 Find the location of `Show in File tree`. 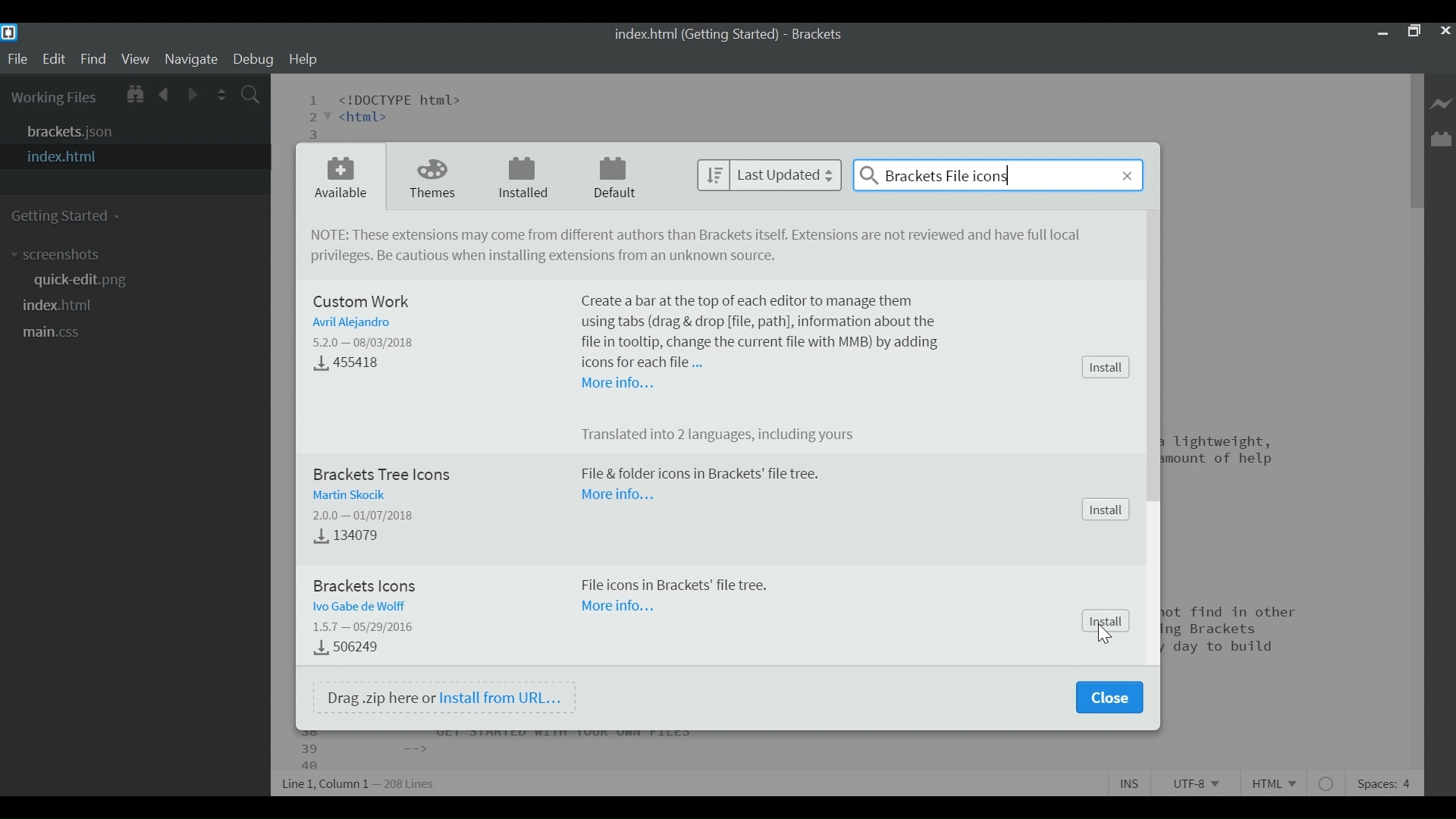

Show in File tree is located at coordinates (136, 94).